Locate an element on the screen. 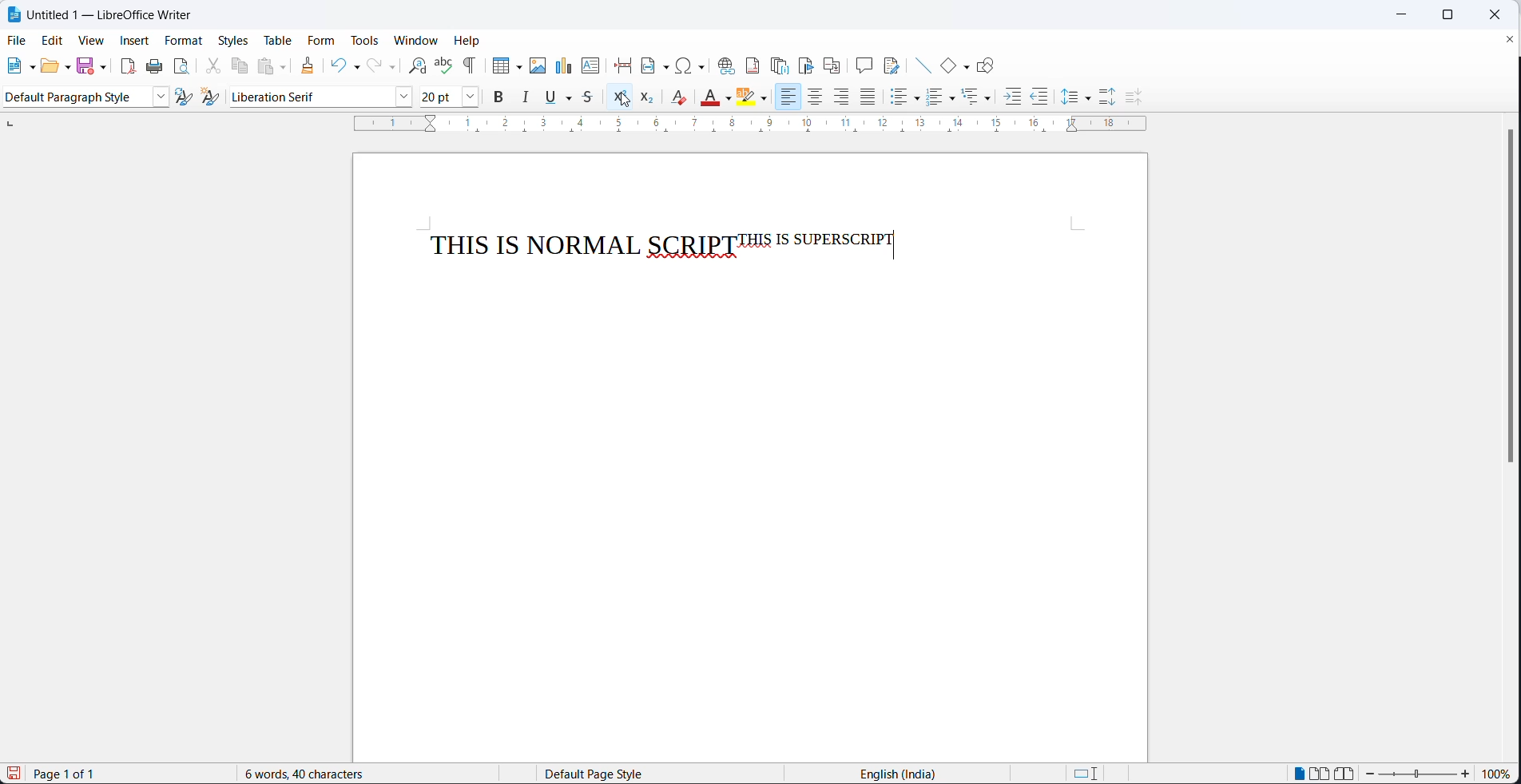  create new style from selection is located at coordinates (216, 100).